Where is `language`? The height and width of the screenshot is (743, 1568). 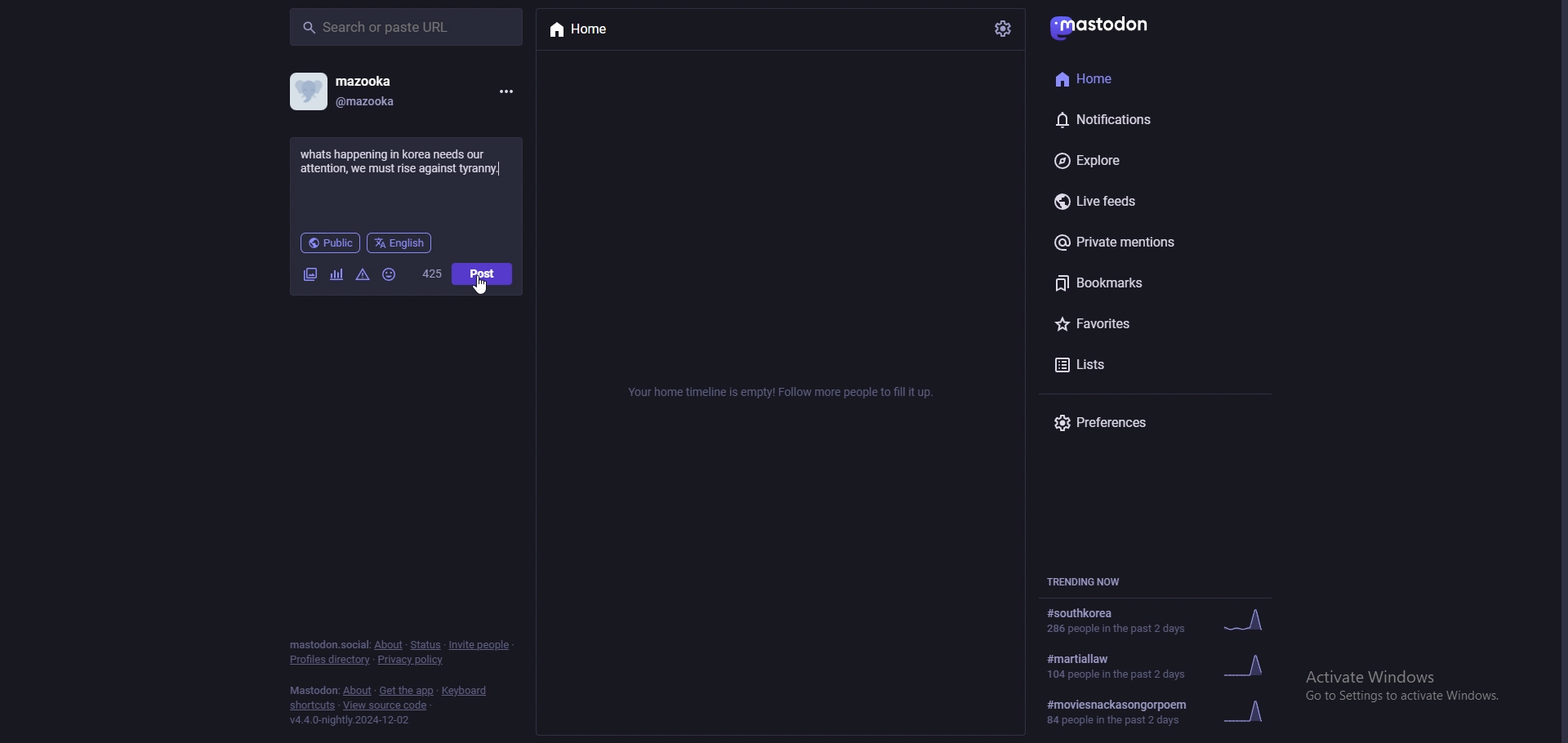
language is located at coordinates (400, 242).